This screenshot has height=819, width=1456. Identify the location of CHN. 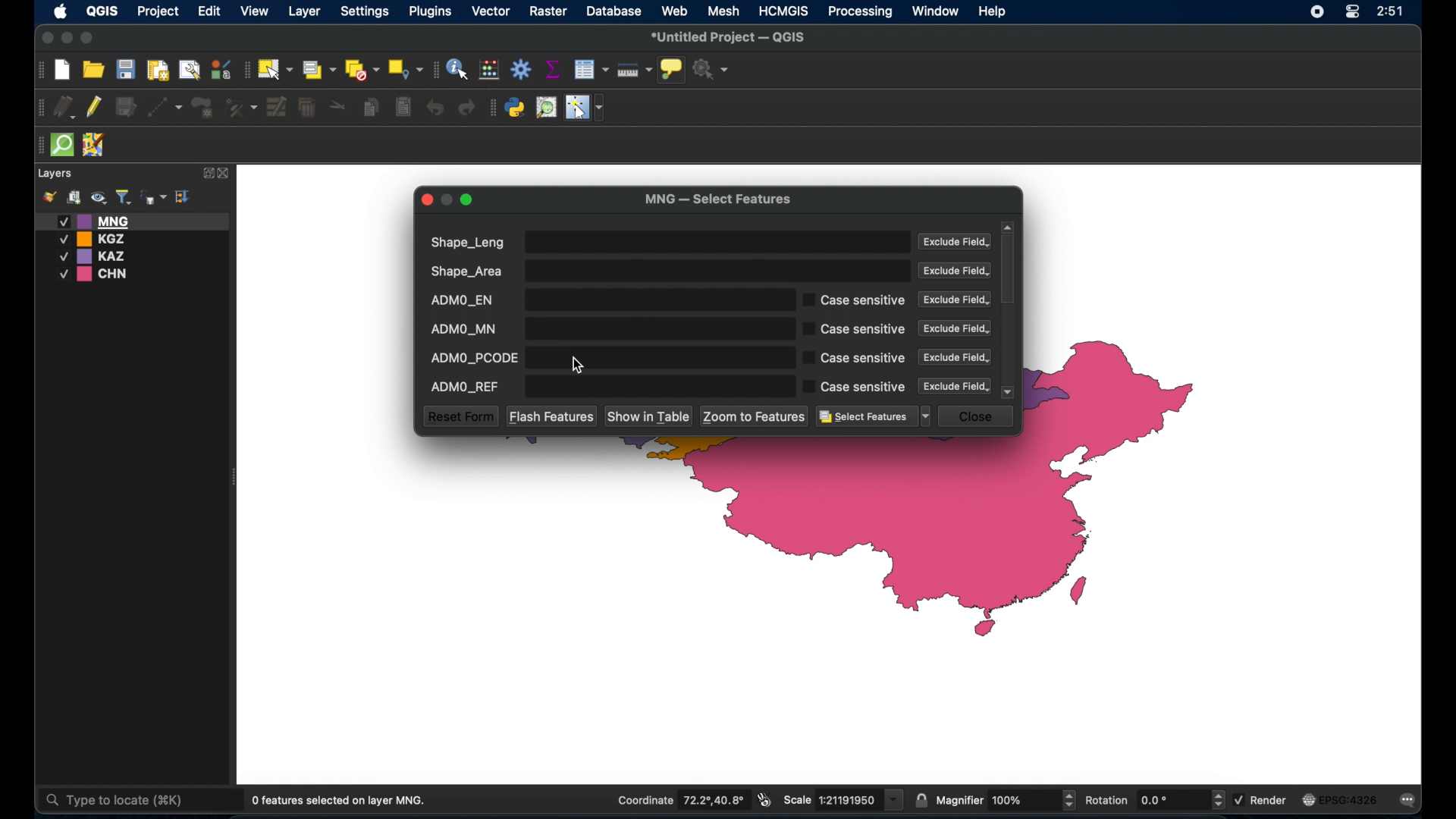
(96, 275).